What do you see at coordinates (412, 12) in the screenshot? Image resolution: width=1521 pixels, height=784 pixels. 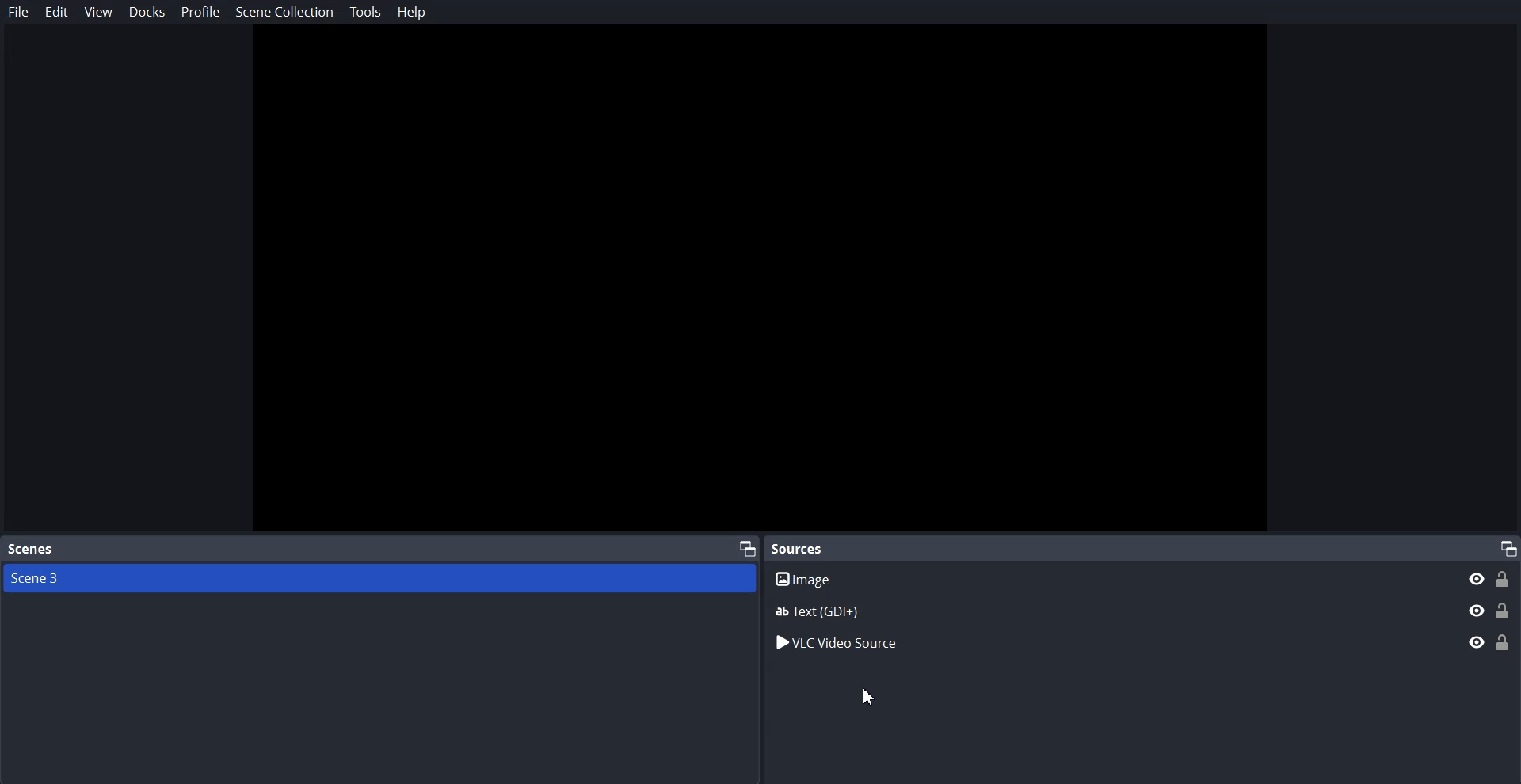 I see `Help` at bounding box center [412, 12].